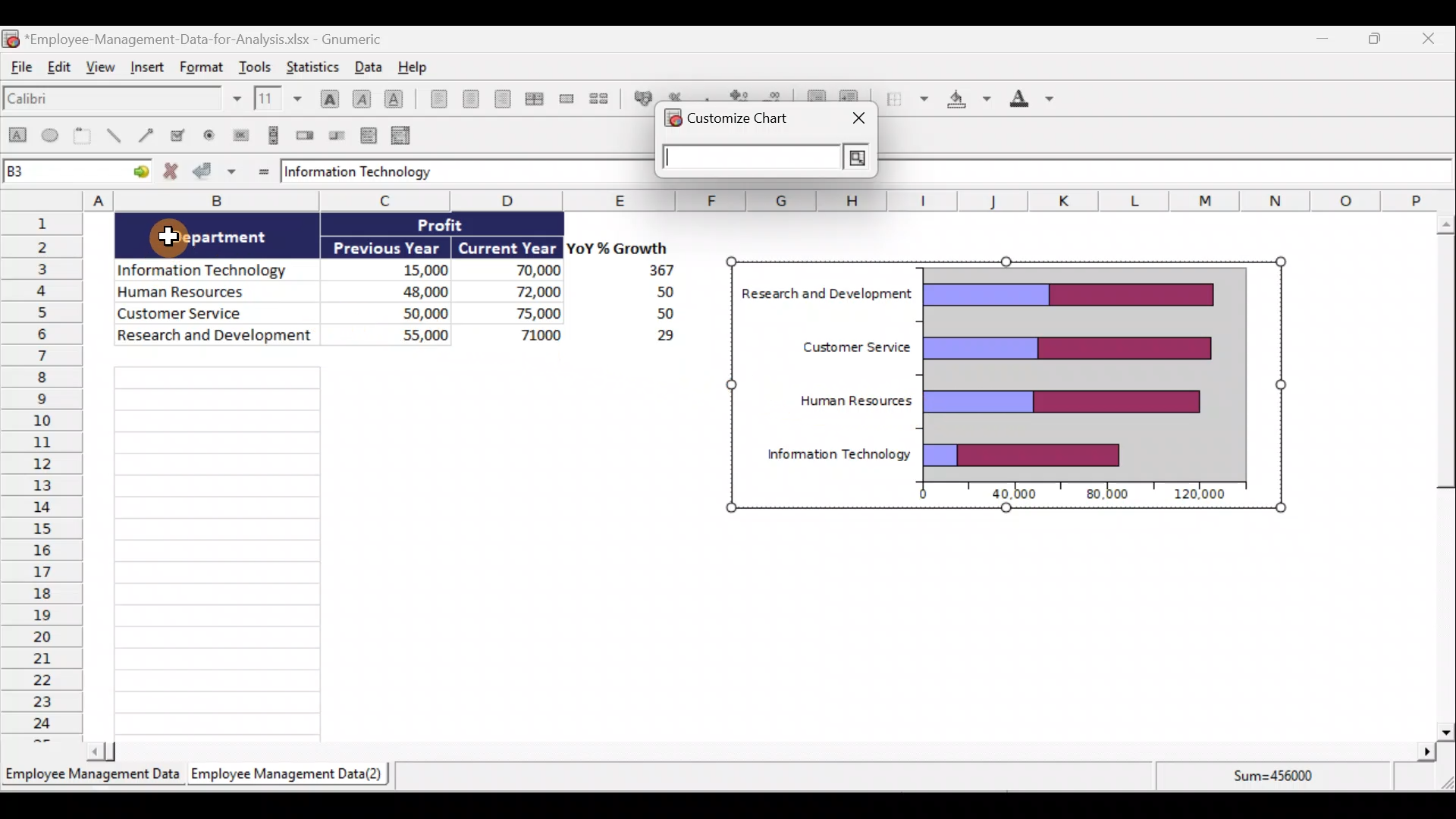 The image size is (1456, 819). Describe the element at coordinates (854, 400) in the screenshot. I see `Human Resources` at that location.